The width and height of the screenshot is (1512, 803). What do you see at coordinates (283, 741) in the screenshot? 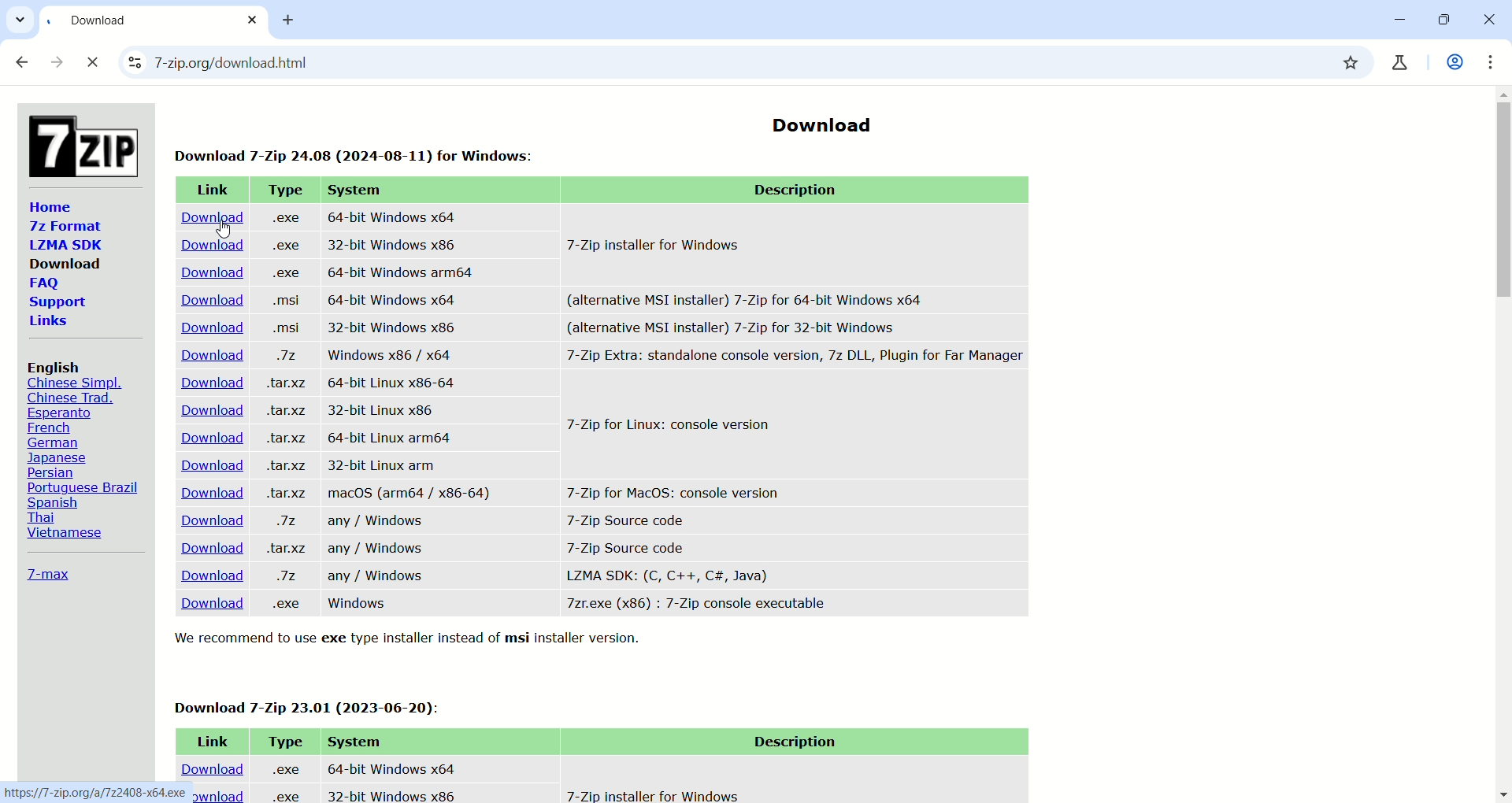
I see `Type` at bounding box center [283, 741].